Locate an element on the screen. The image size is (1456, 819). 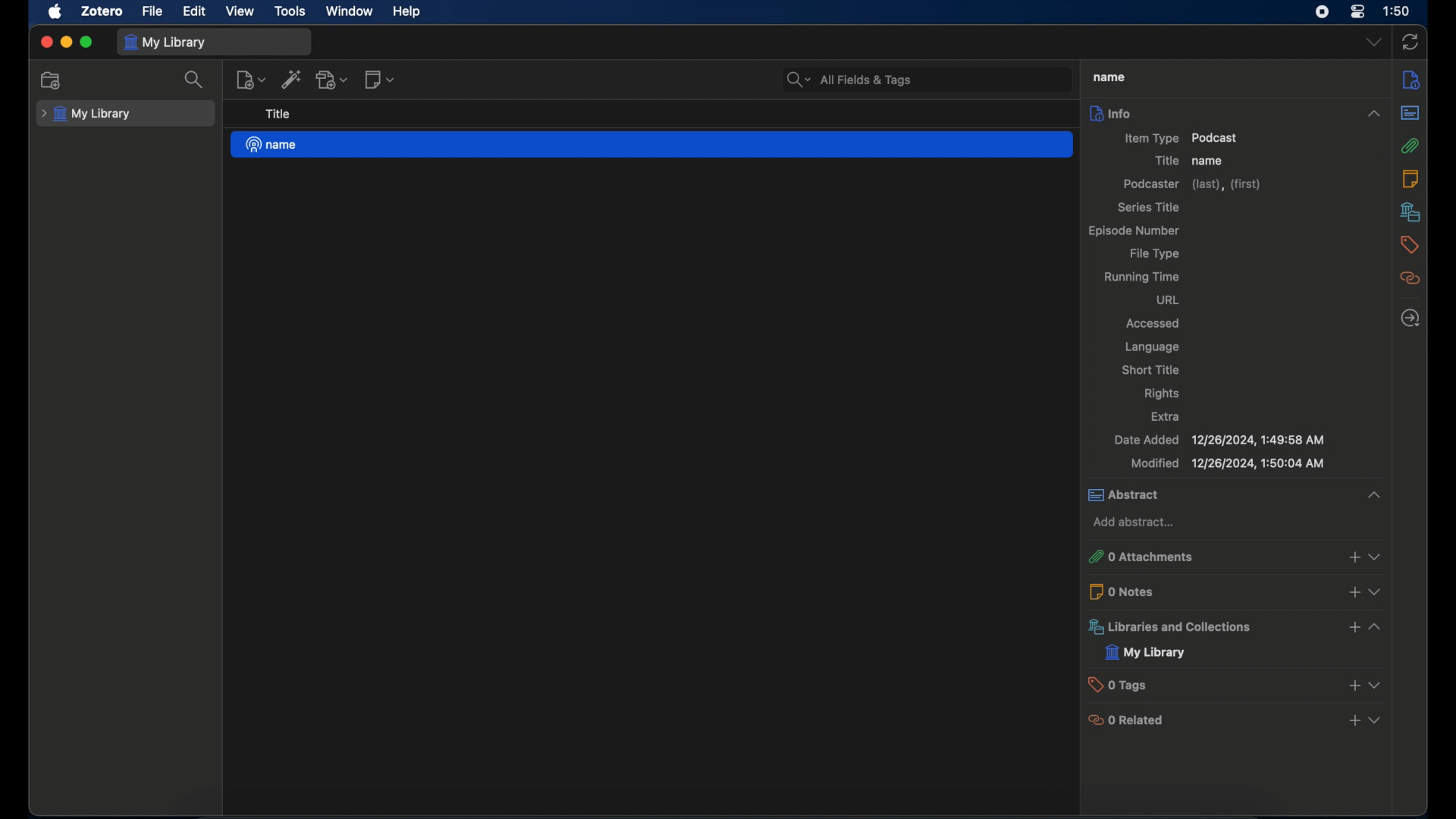
add item by identifier is located at coordinates (292, 79).